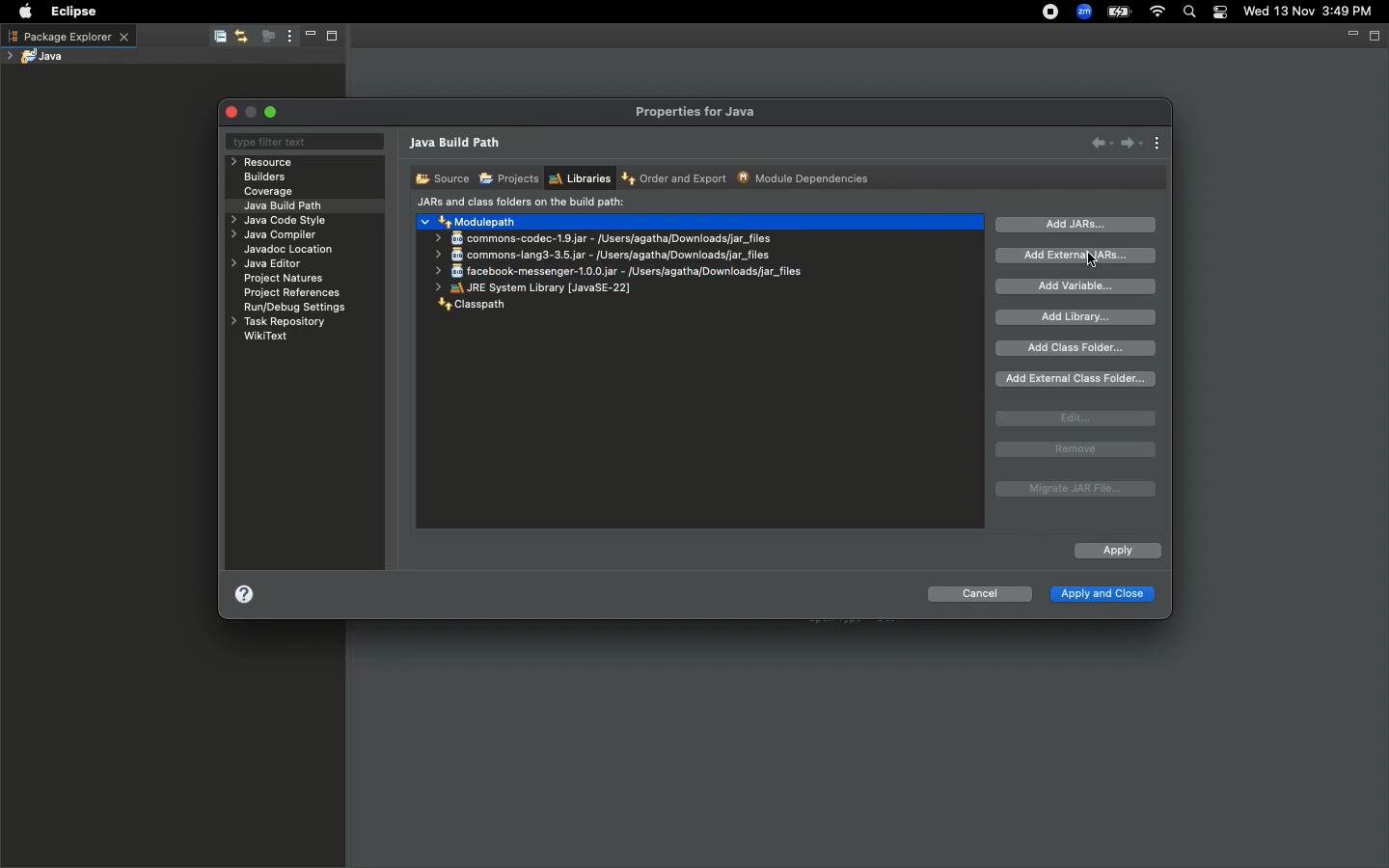 Image resolution: width=1389 pixels, height=868 pixels. What do you see at coordinates (1158, 145) in the screenshot?
I see `View menu` at bounding box center [1158, 145].